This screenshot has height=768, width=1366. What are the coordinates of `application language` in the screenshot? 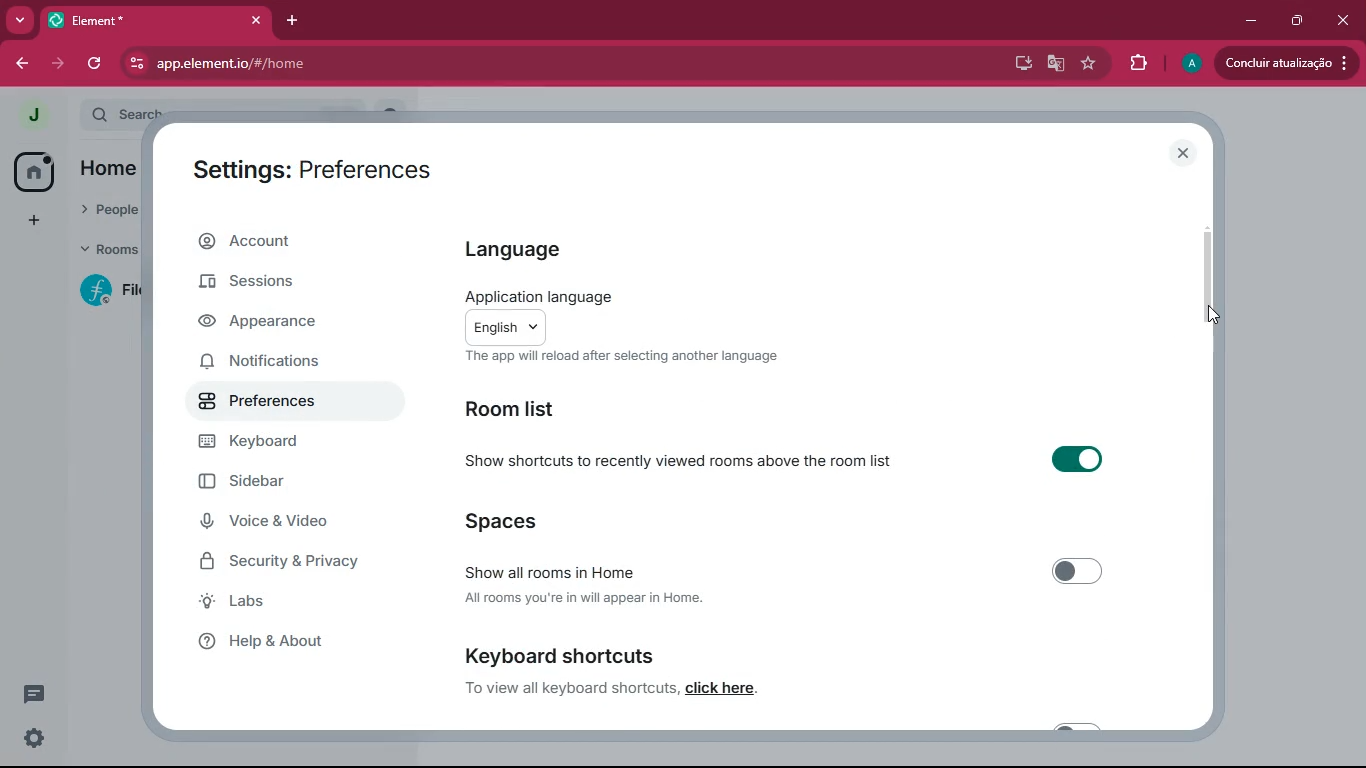 It's located at (546, 292).